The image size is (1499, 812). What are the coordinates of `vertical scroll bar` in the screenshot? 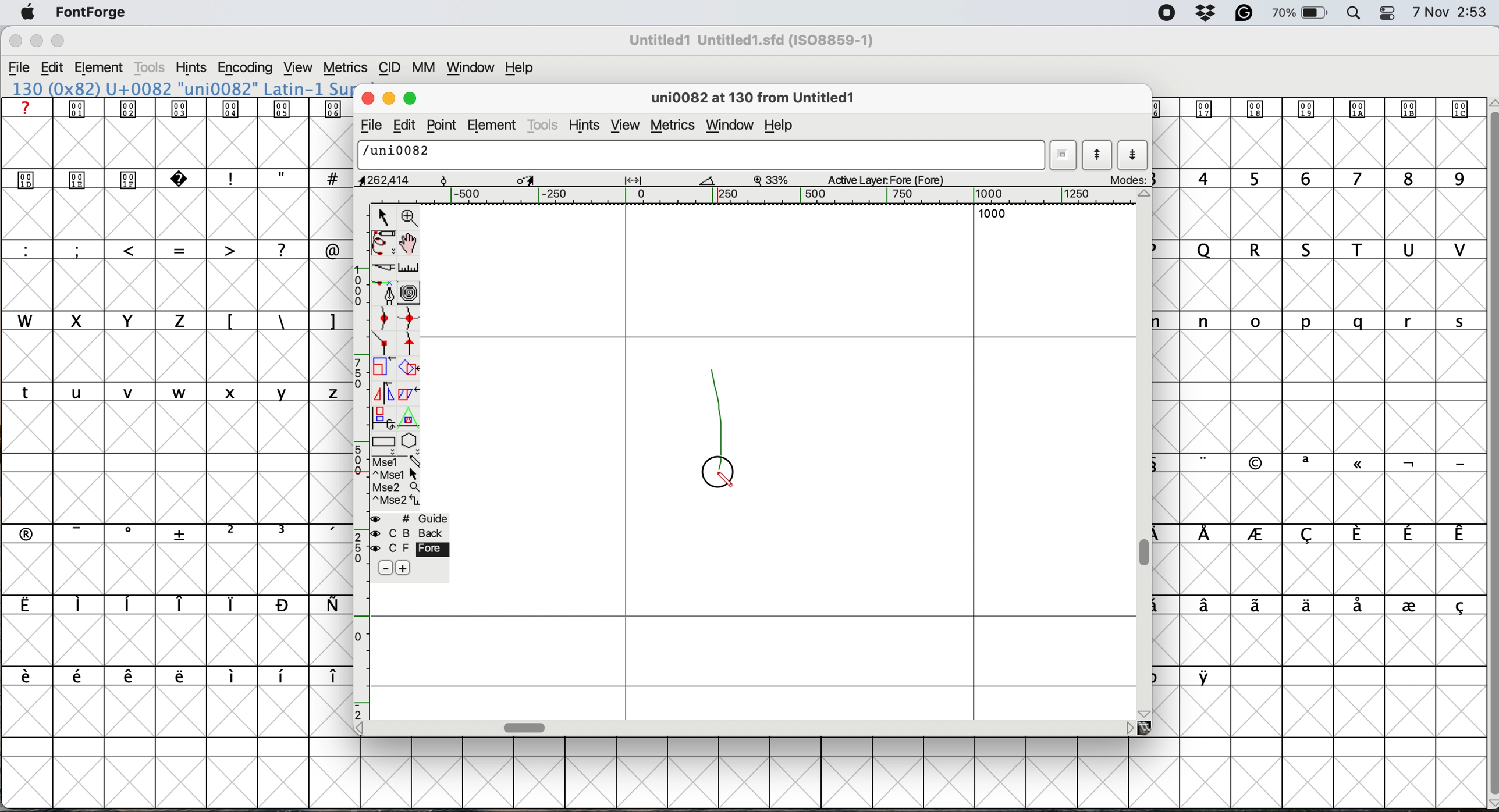 It's located at (1148, 552).